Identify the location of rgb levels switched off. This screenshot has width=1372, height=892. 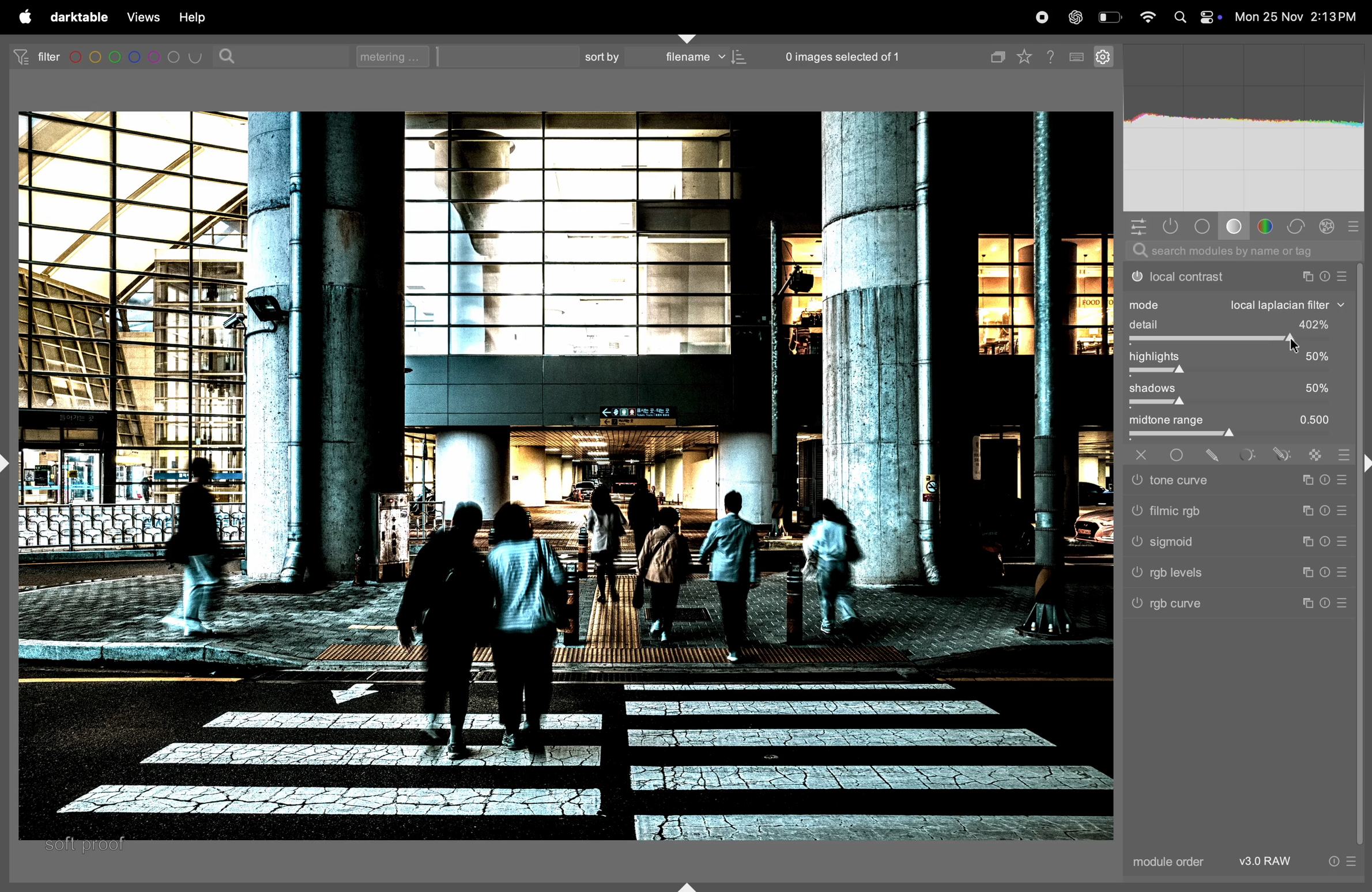
(1136, 574).